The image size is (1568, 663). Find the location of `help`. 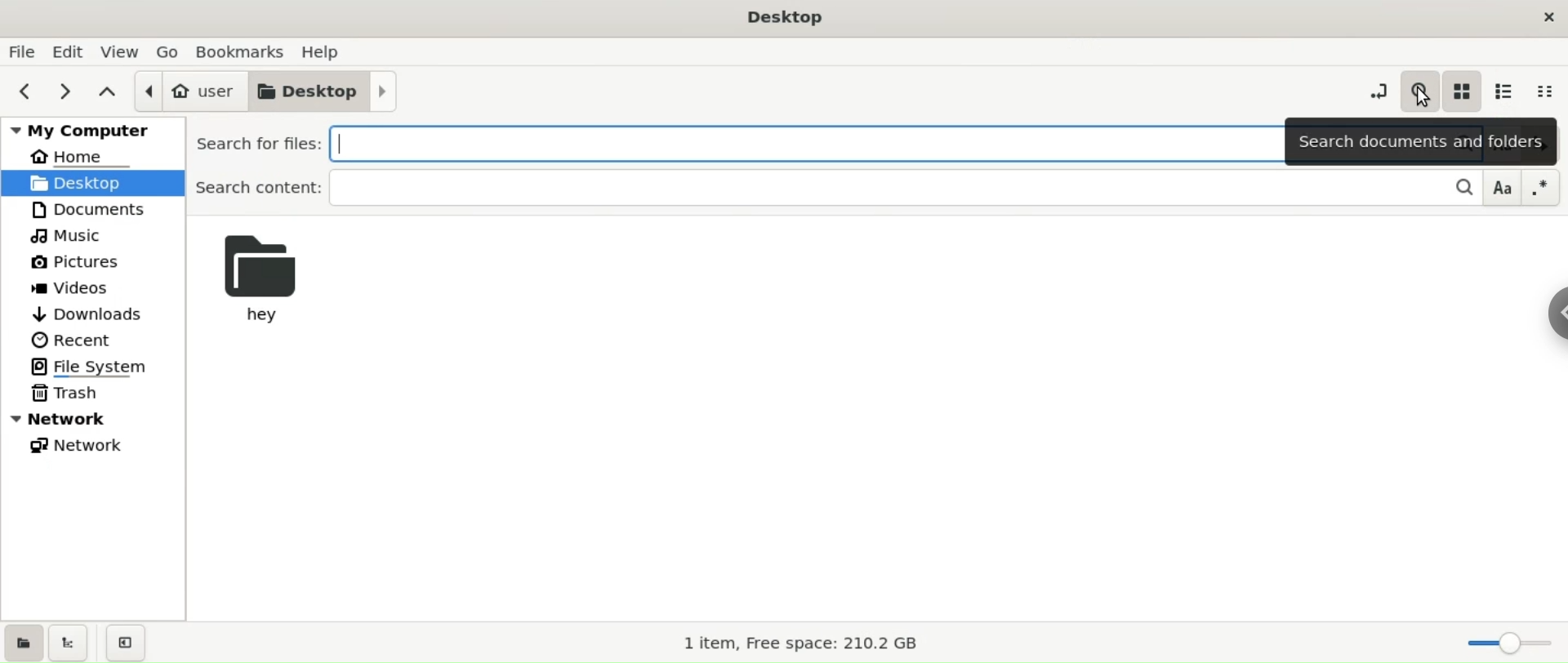

help is located at coordinates (325, 52).